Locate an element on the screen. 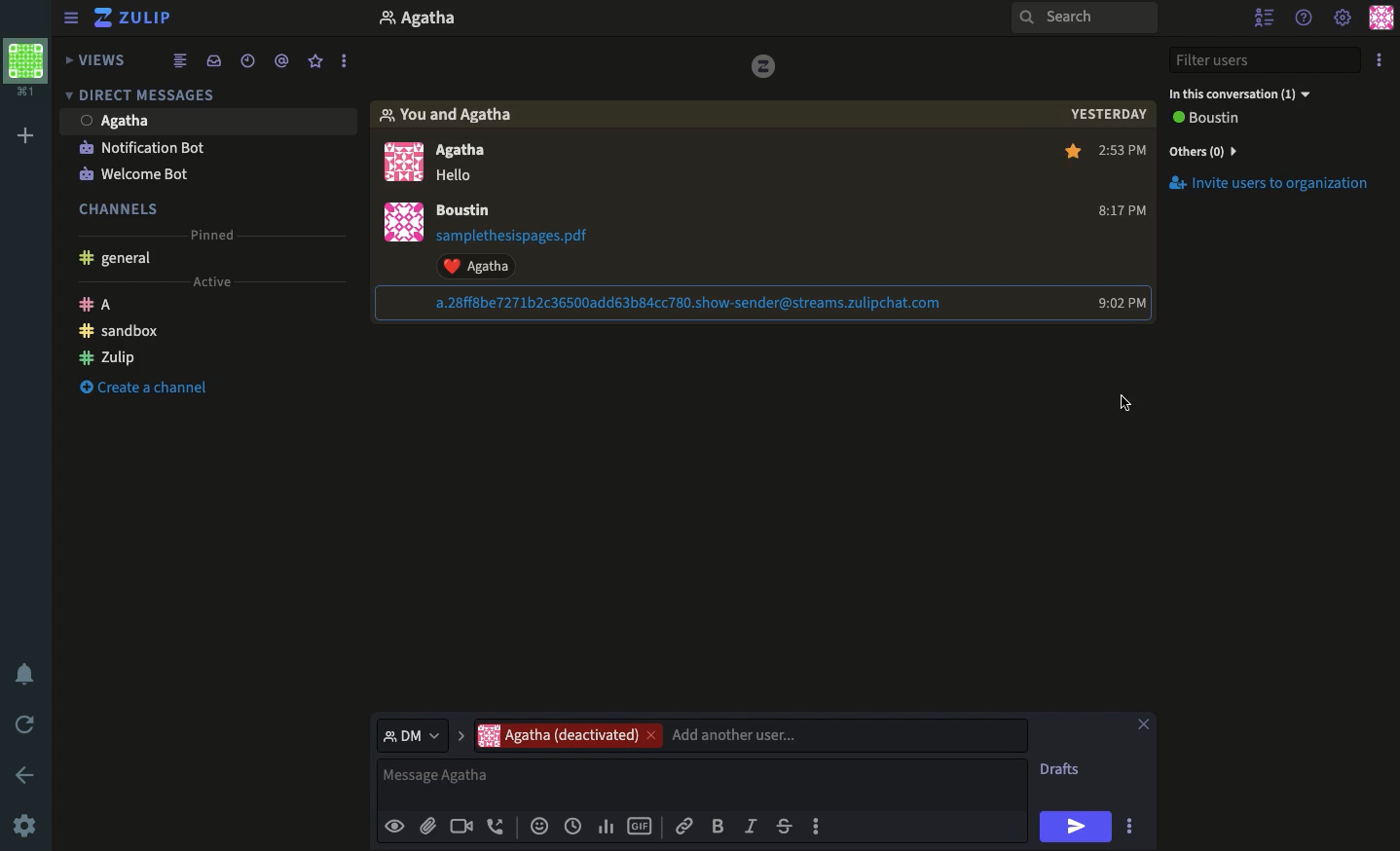  DM is located at coordinates (421, 735).